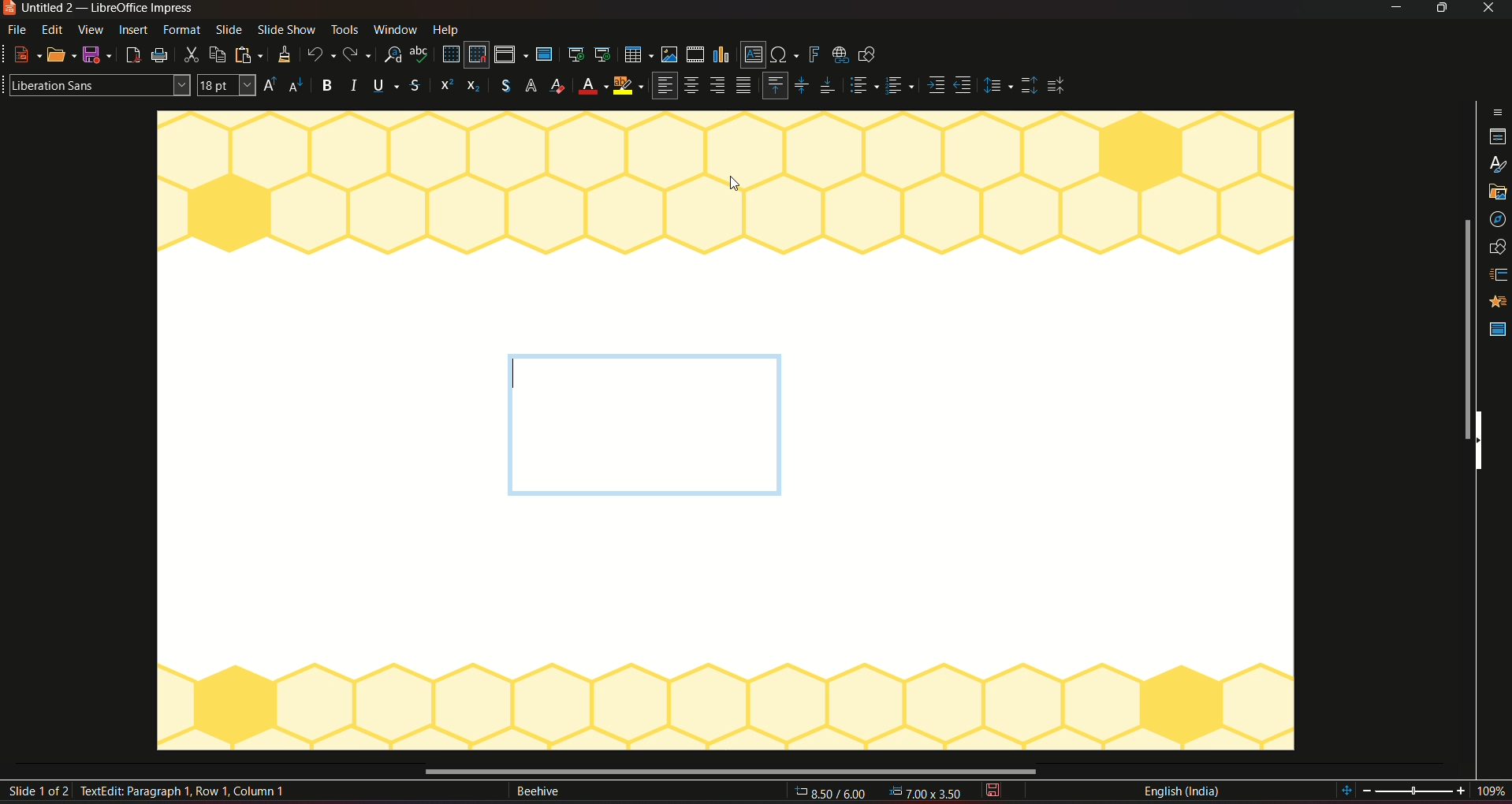  Describe the element at coordinates (1347, 791) in the screenshot. I see `fit slide to current view` at that location.